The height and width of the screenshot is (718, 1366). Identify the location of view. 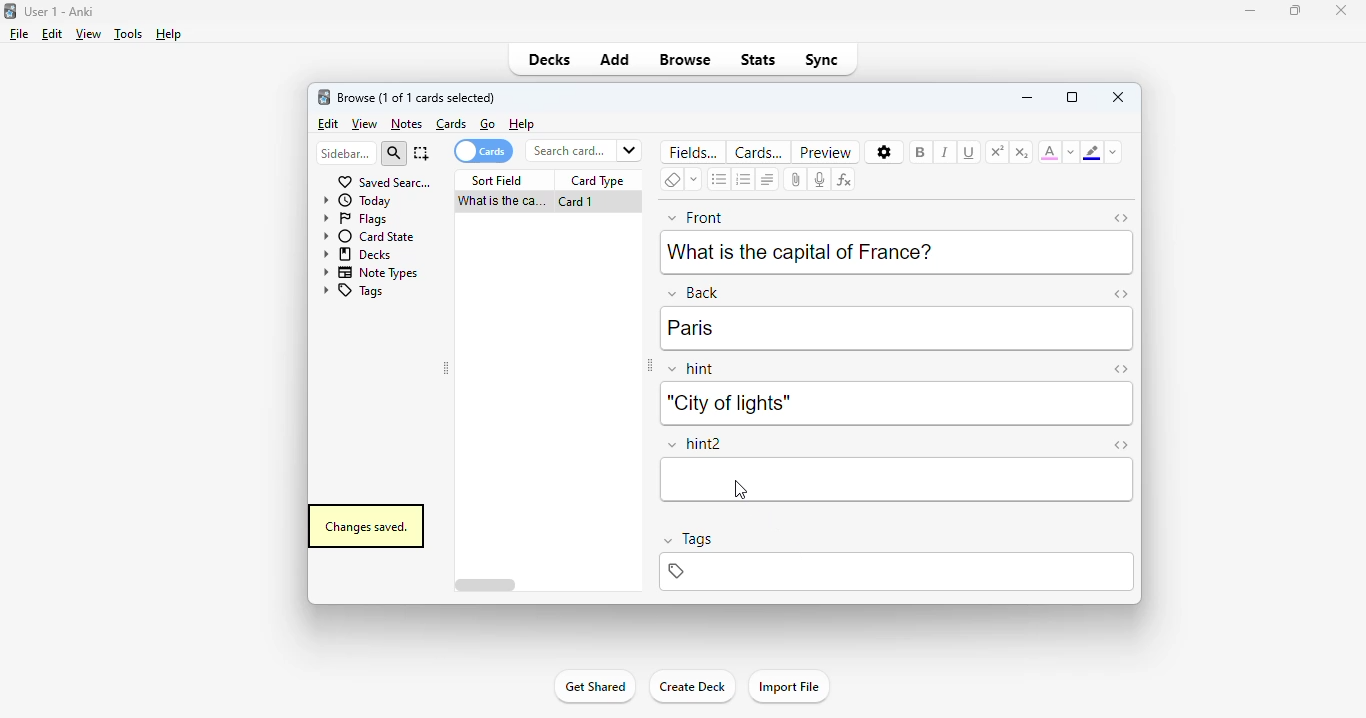
(365, 125).